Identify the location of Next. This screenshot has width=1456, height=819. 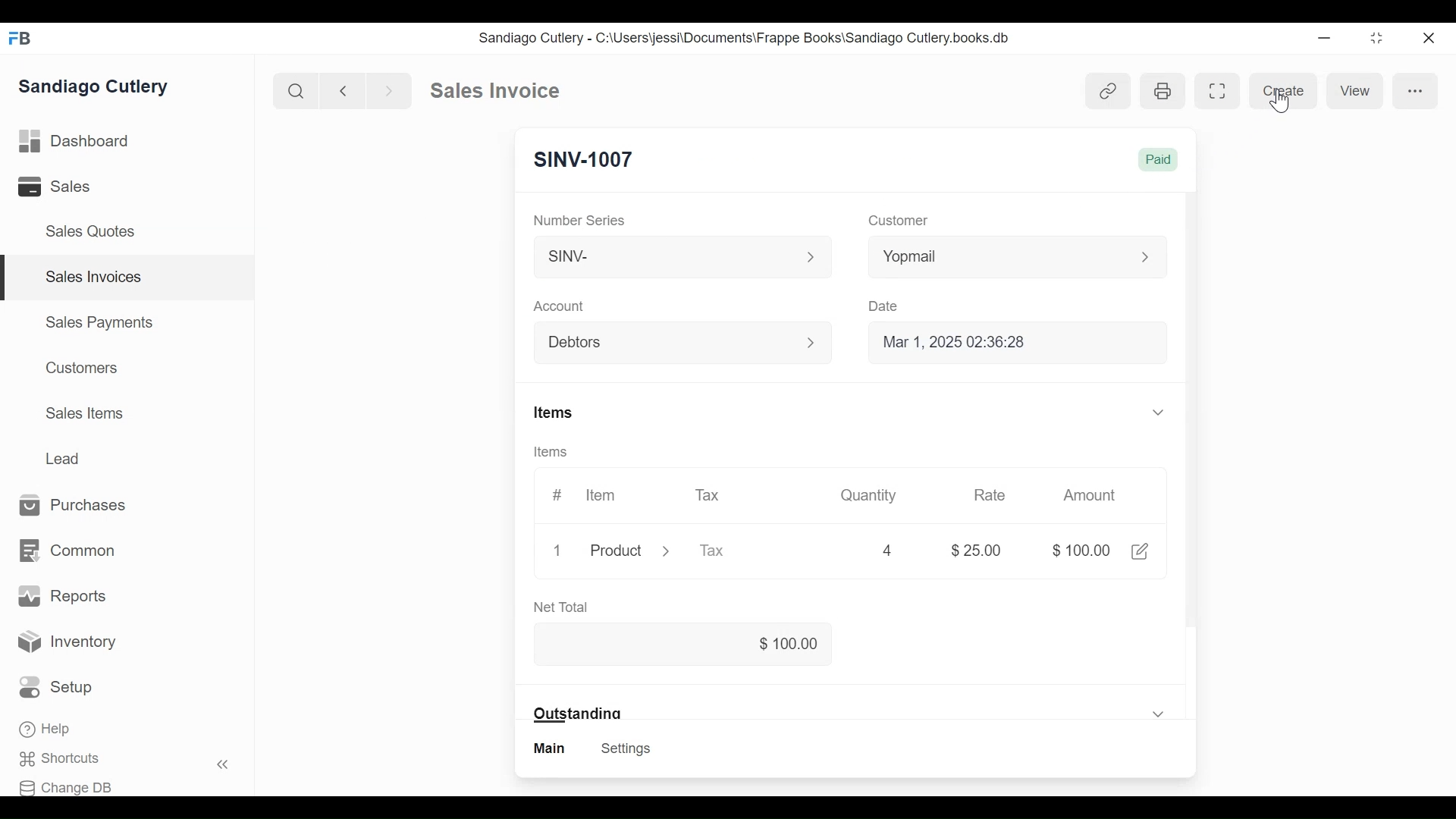
(391, 90).